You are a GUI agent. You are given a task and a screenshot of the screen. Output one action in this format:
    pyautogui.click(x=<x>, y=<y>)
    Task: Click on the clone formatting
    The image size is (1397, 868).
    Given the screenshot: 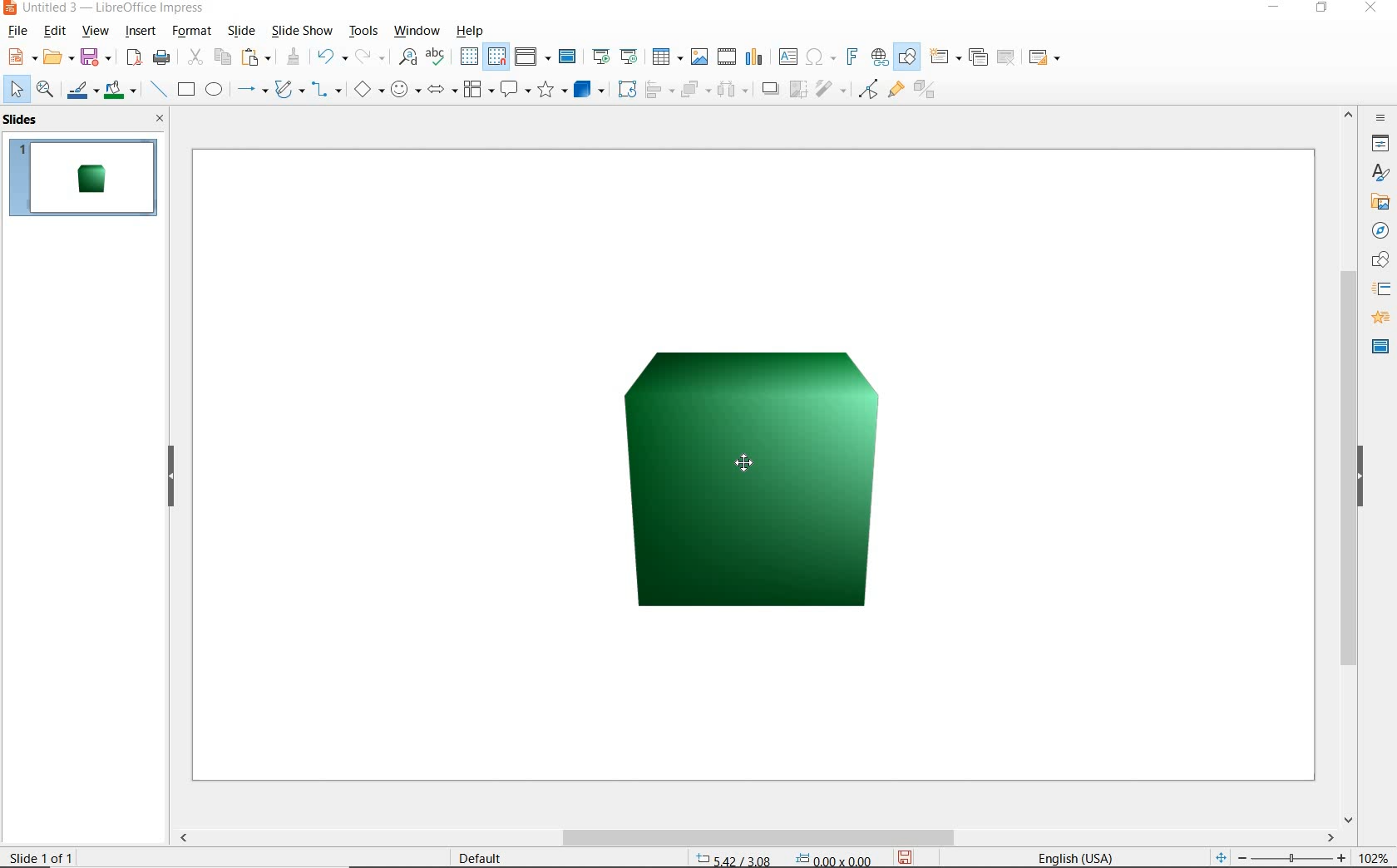 What is the action you would take?
    pyautogui.click(x=294, y=56)
    